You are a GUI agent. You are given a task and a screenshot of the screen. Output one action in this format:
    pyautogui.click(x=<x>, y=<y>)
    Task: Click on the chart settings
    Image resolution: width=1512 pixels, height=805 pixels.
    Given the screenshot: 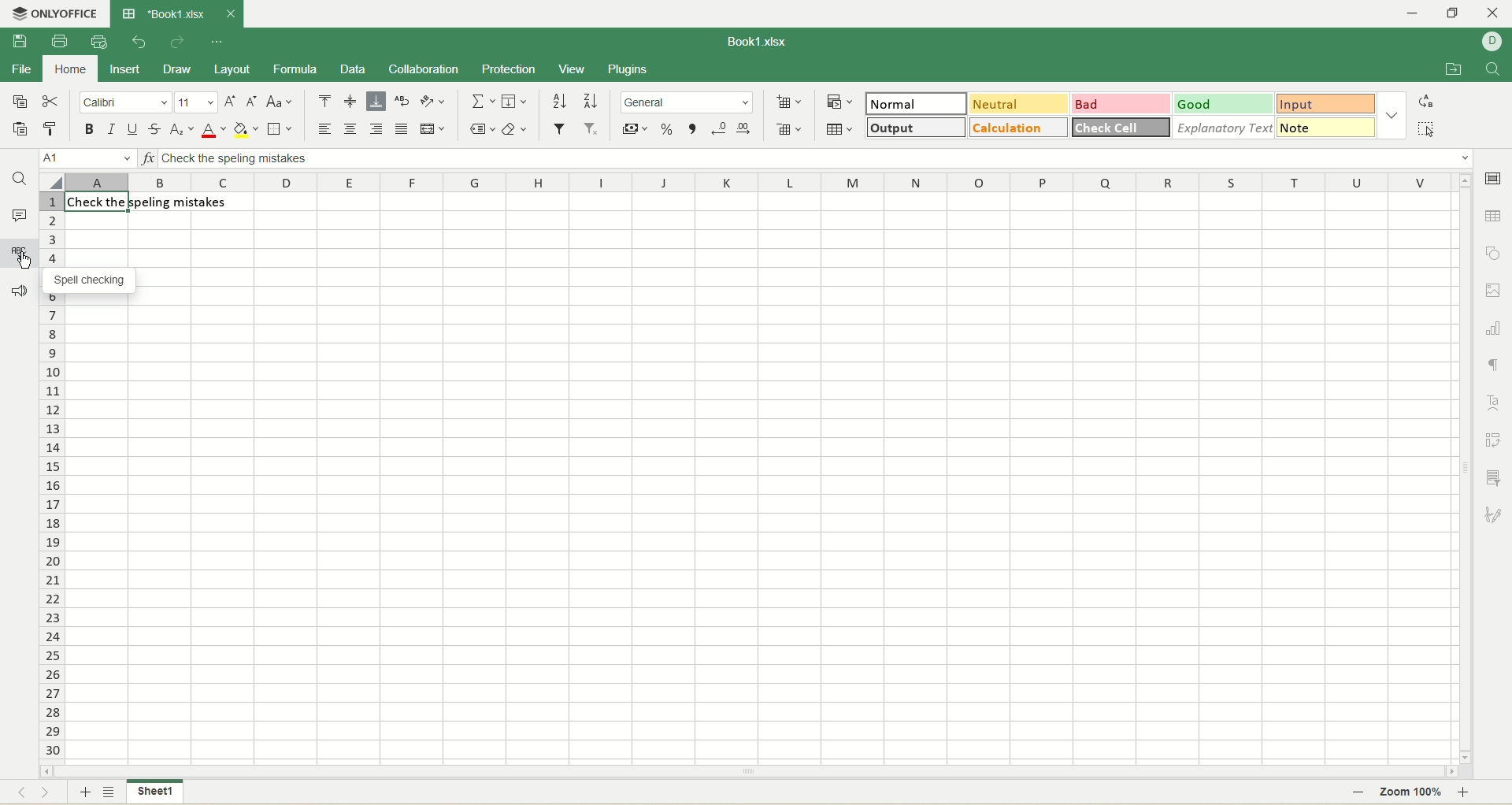 What is the action you would take?
    pyautogui.click(x=1494, y=327)
    